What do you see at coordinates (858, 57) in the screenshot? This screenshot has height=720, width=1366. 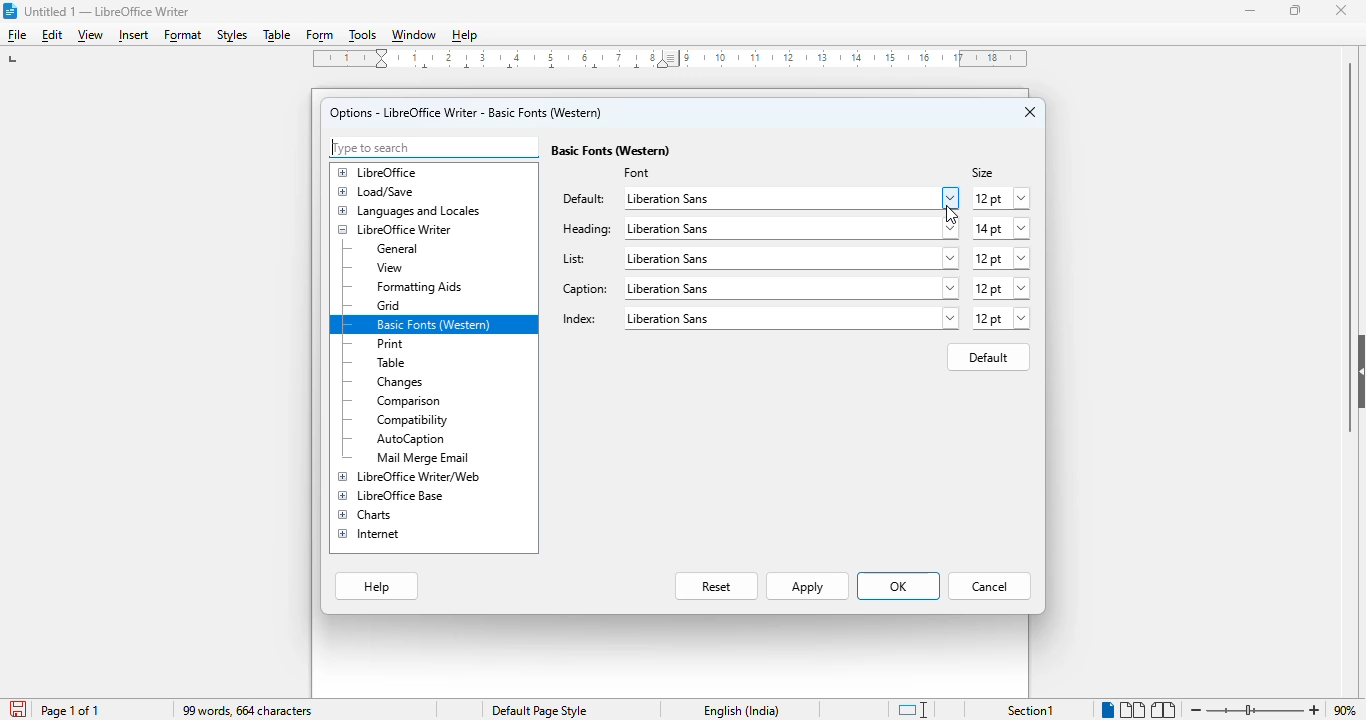 I see `10, 11, 12, 13, 14, 15, 16, 17, 18` at bounding box center [858, 57].